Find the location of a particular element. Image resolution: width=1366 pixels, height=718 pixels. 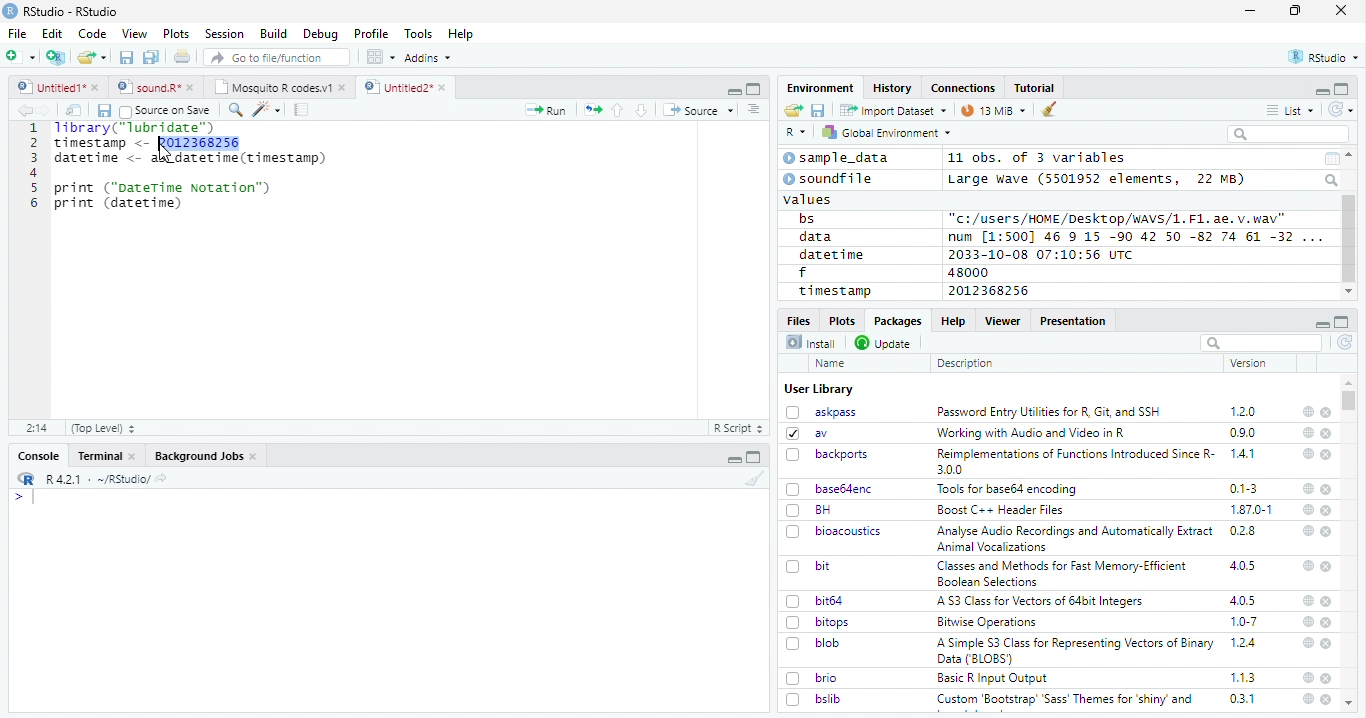

close is located at coordinates (1328, 602).